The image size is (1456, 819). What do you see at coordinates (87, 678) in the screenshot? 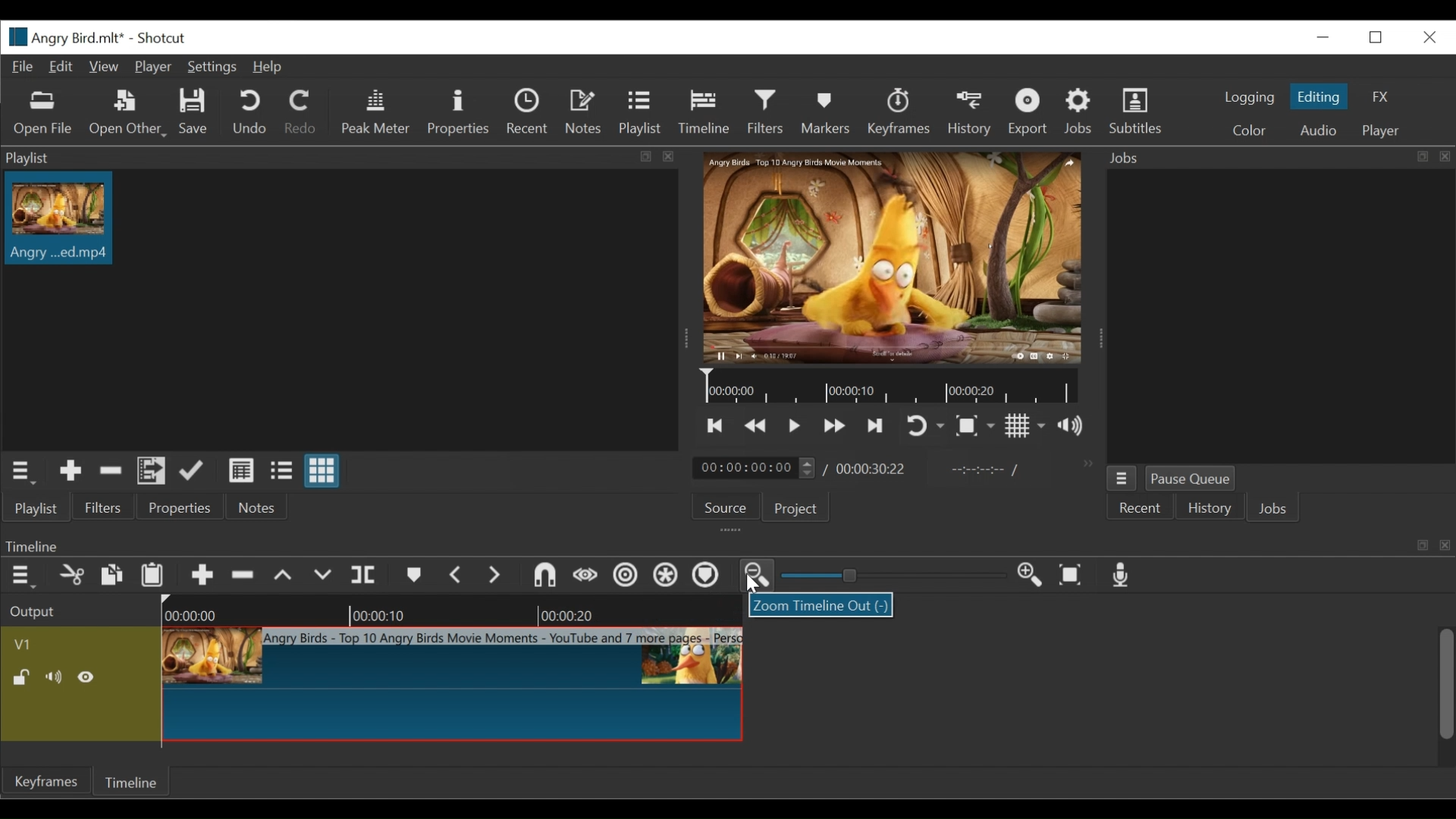
I see `Hide` at bounding box center [87, 678].